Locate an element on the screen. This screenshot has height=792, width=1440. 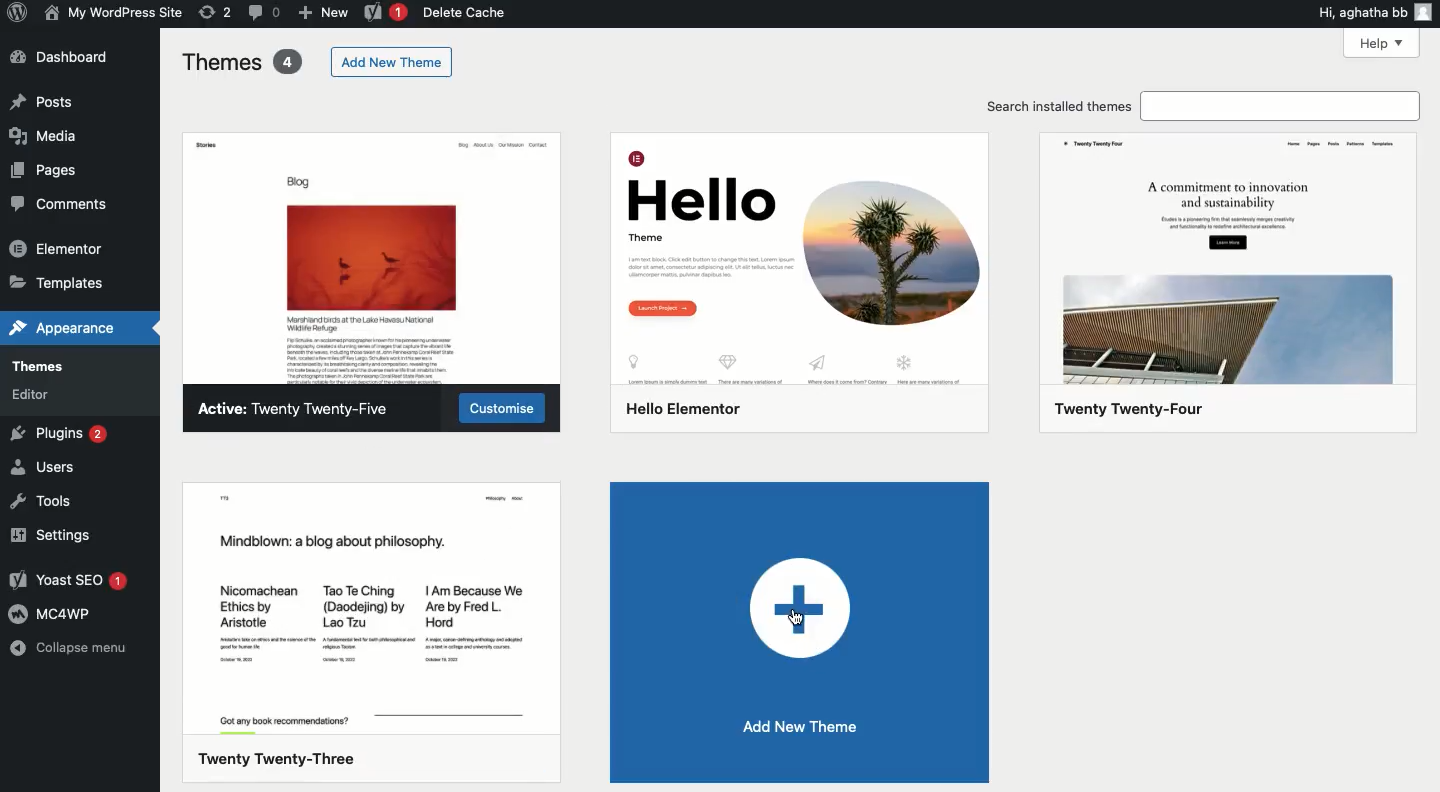
Media is located at coordinates (49, 133).